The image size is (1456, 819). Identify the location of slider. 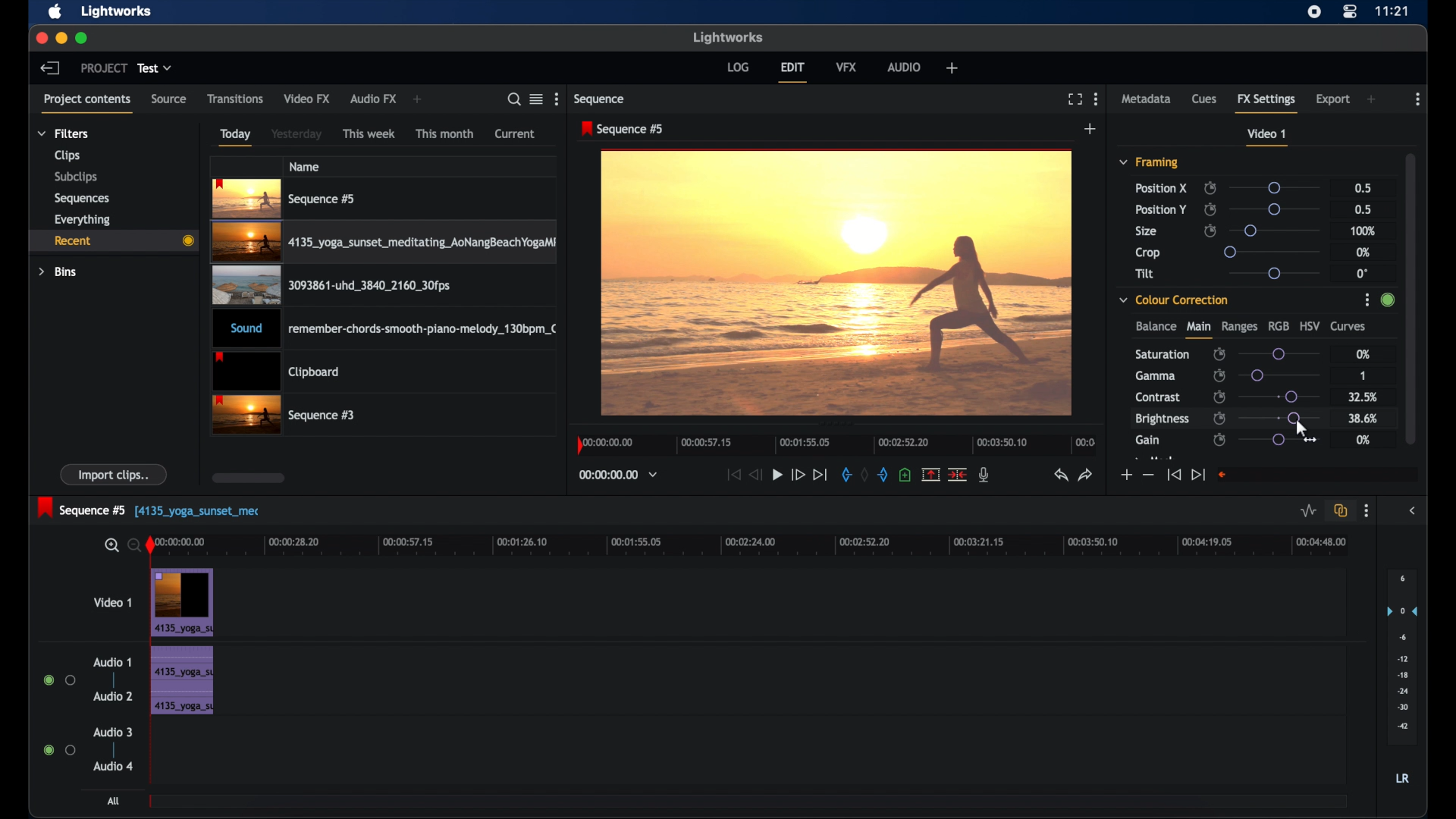
(1284, 417).